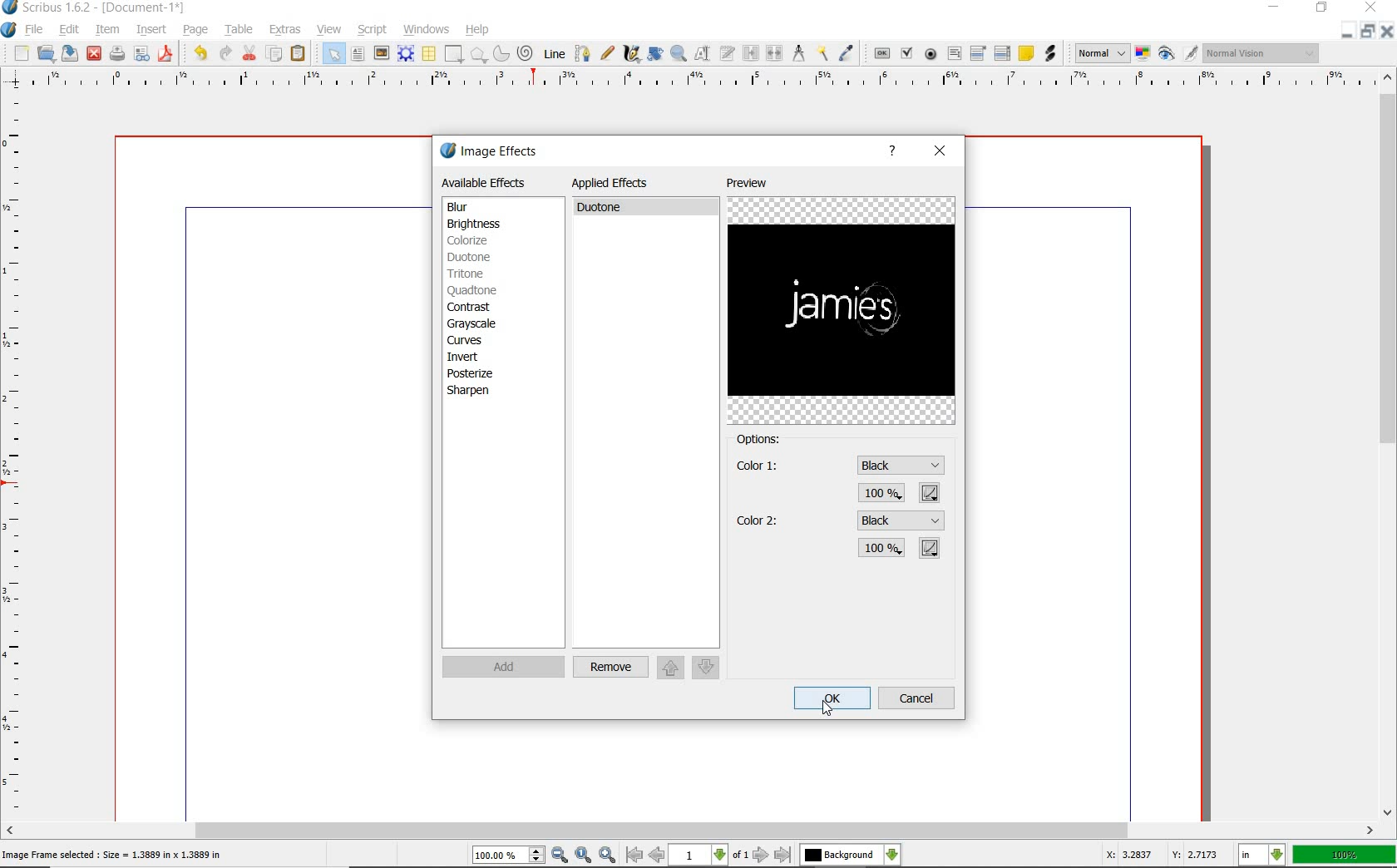 The width and height of the screenshot is (1397, 868). What do you see at coordinates (1263, 856) in the screenshot?
I see `select the current unit` at bounding box center [1263, 856].